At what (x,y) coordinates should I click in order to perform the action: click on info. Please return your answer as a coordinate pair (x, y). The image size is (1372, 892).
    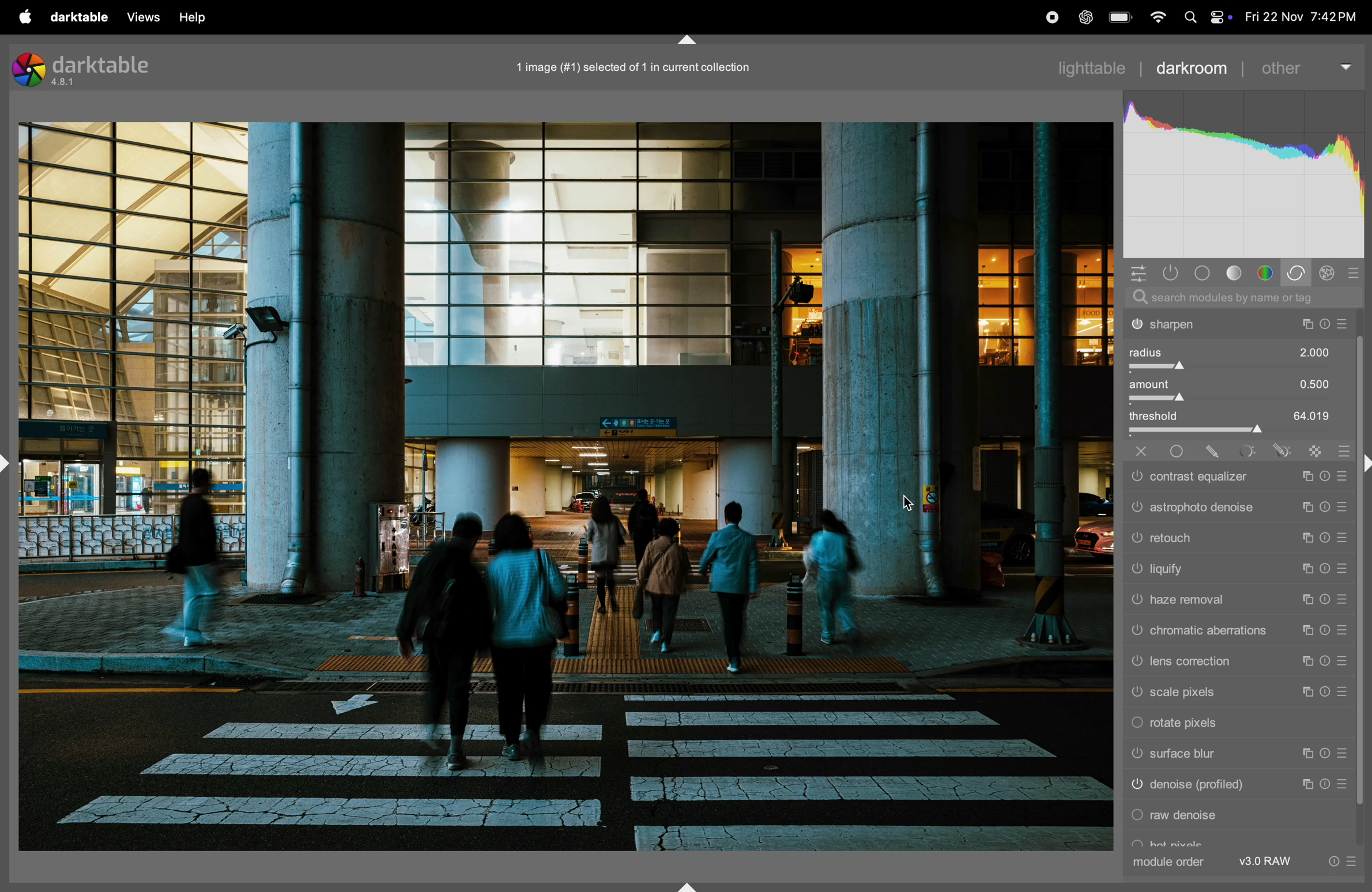
    Looking at the image, I should click on (1340, 861).